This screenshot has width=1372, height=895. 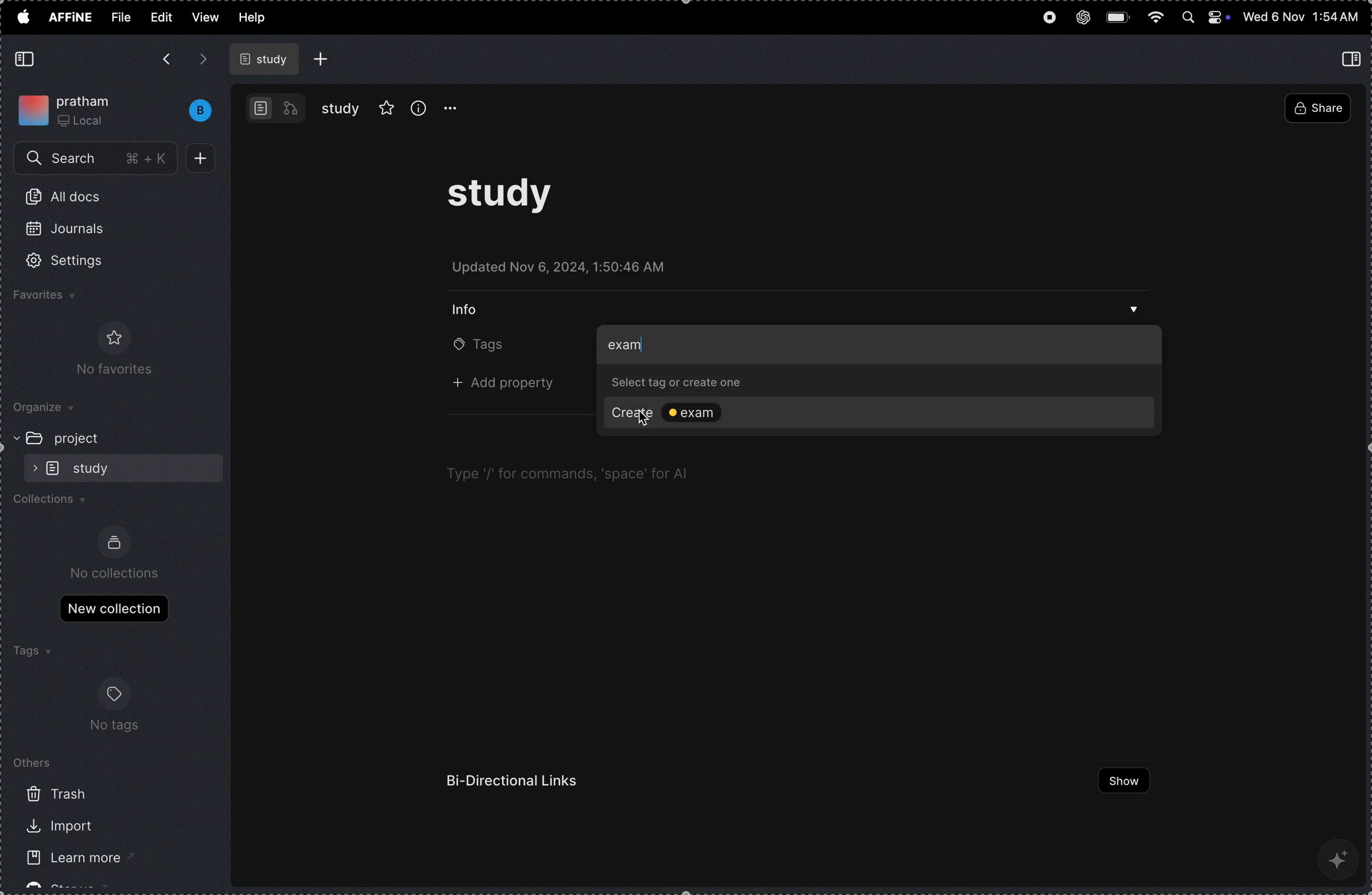 What do you see at coordinates (1205, 18) in the screenshot?
I see `apple widgets` at bounding box center [1205, 18].